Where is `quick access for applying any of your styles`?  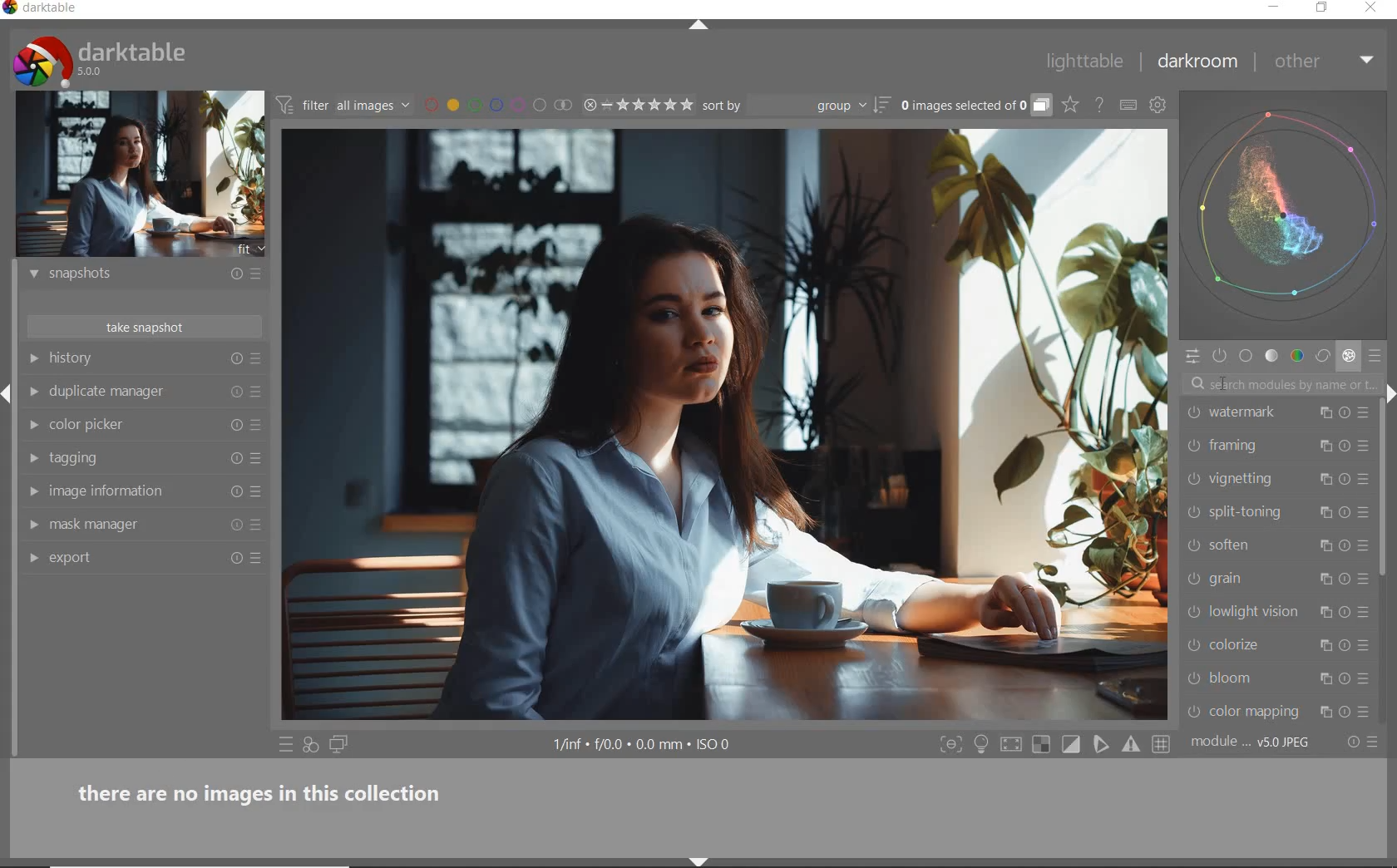 quick access for applying any of your styles is located at coordinates (312, 746).